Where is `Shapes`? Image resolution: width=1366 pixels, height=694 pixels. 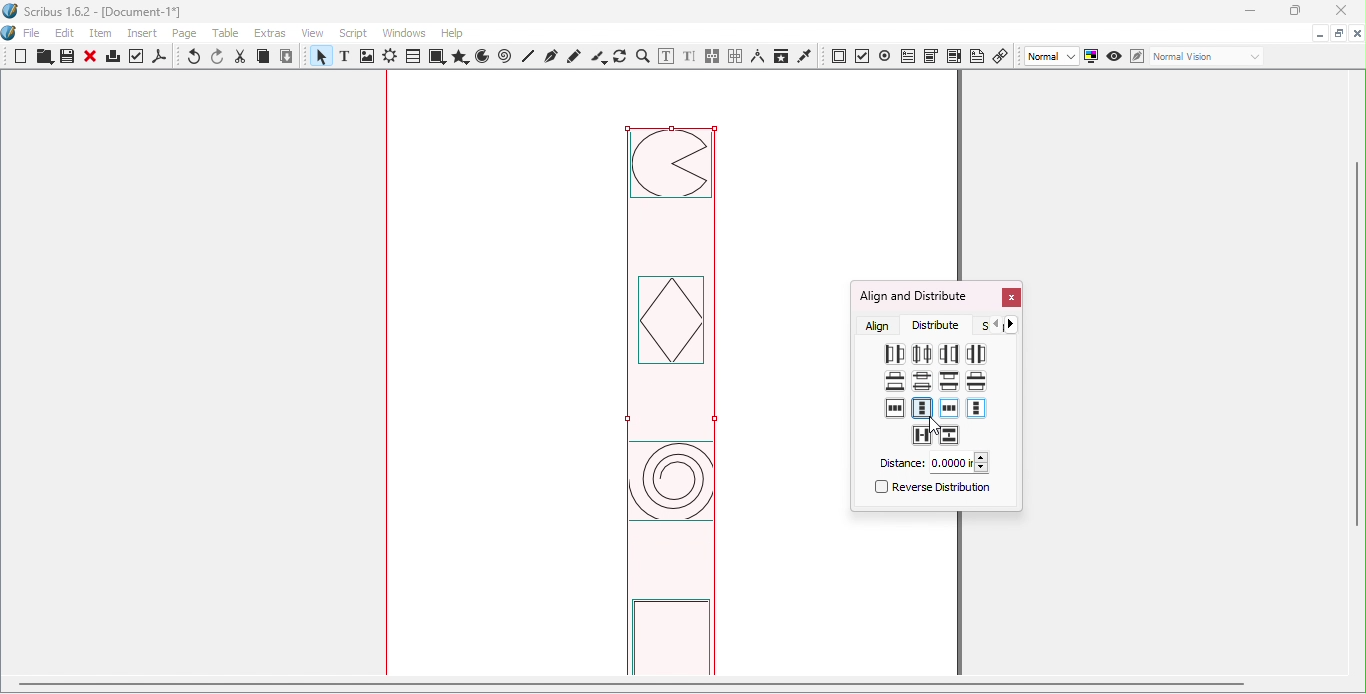
Shapes is located at coordinates (436, 57).